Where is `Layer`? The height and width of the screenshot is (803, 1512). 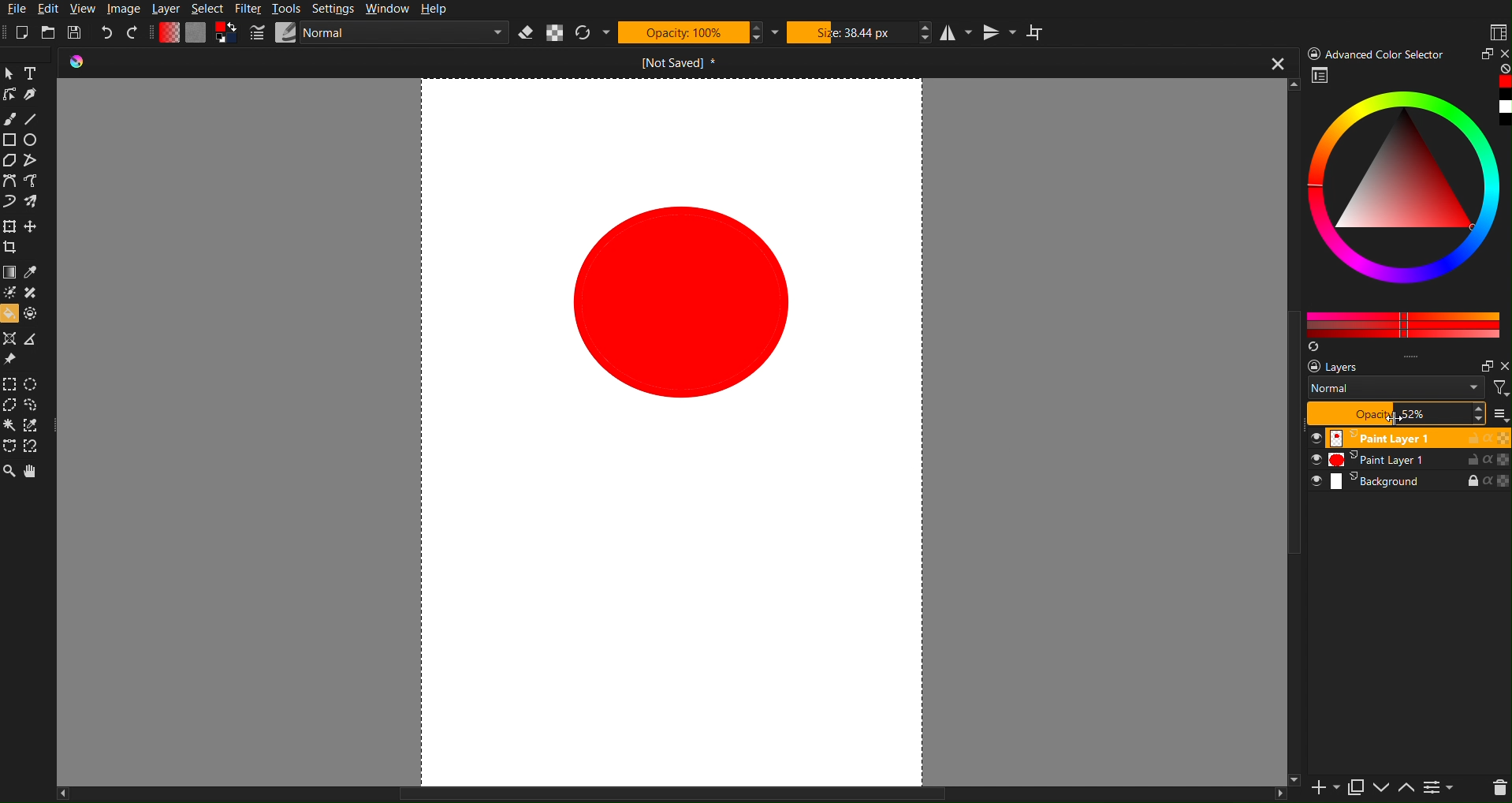 Layer is located at coordinates (166, 9).